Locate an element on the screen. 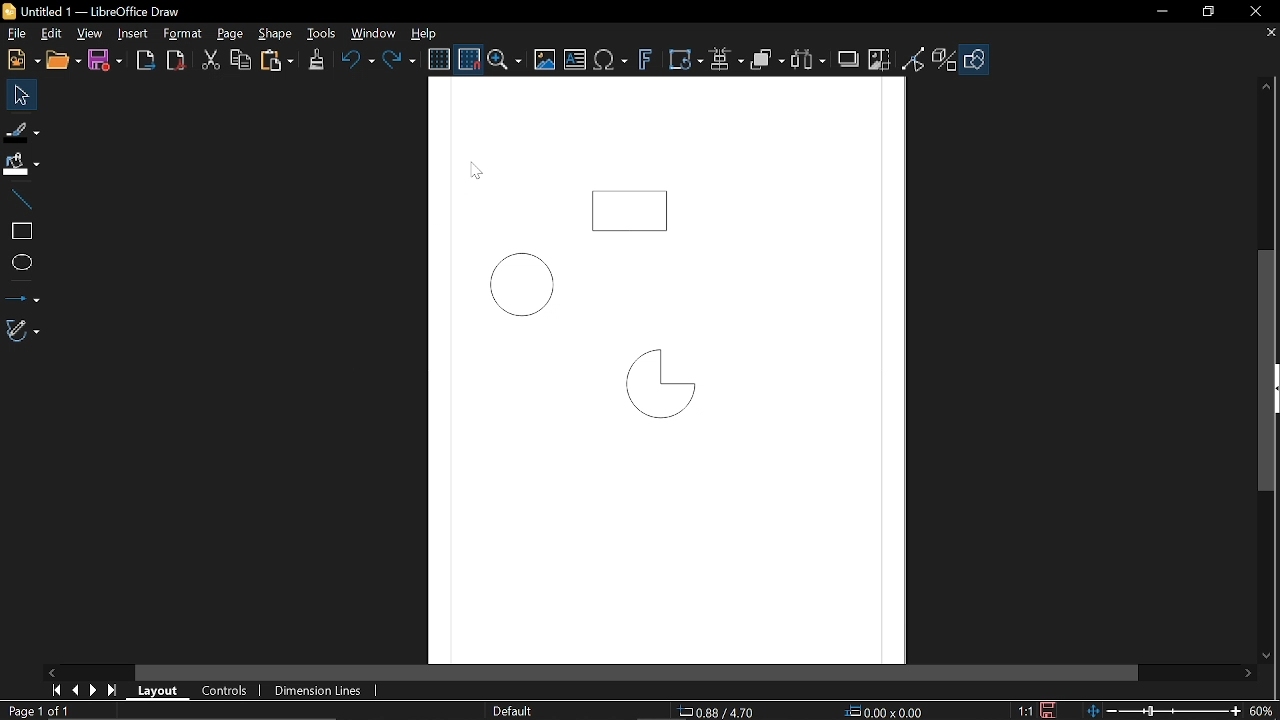 The height and width of the screenshot is (720, 1280). Align is located at coordinates (726, 60).